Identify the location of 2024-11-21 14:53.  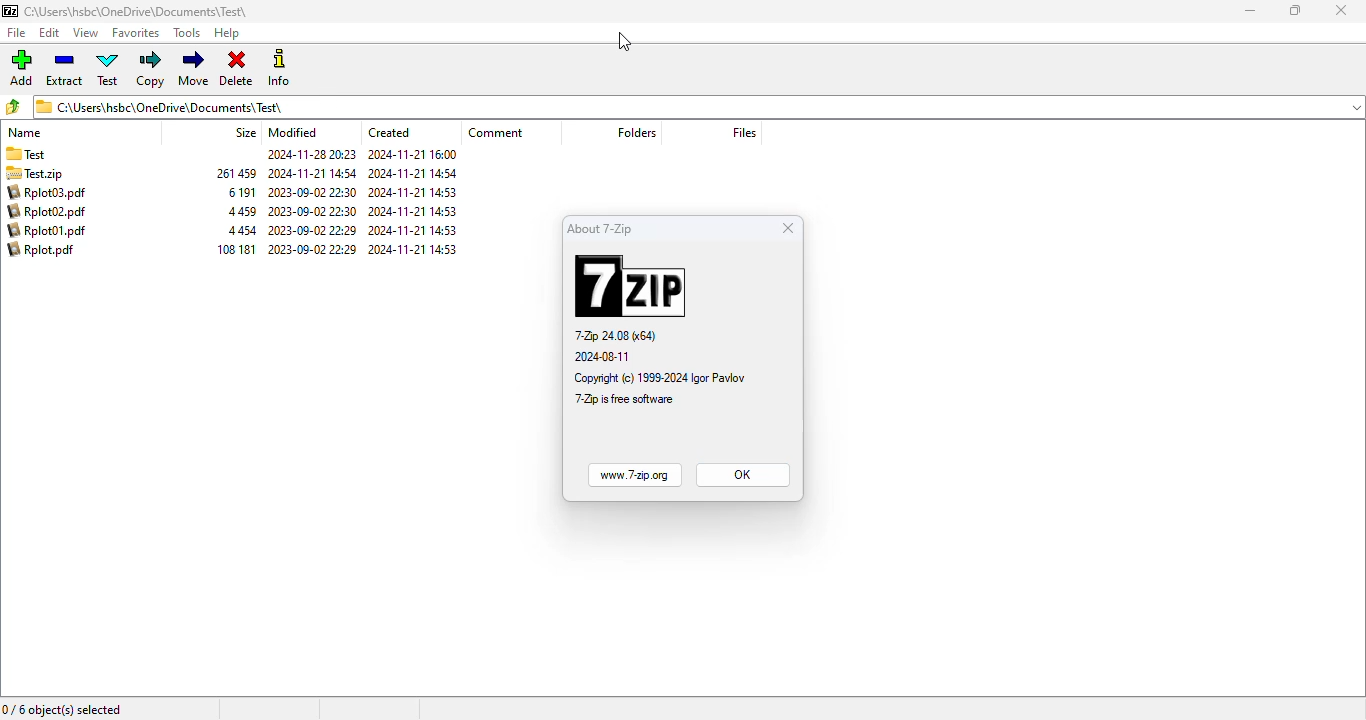
(414, 231).